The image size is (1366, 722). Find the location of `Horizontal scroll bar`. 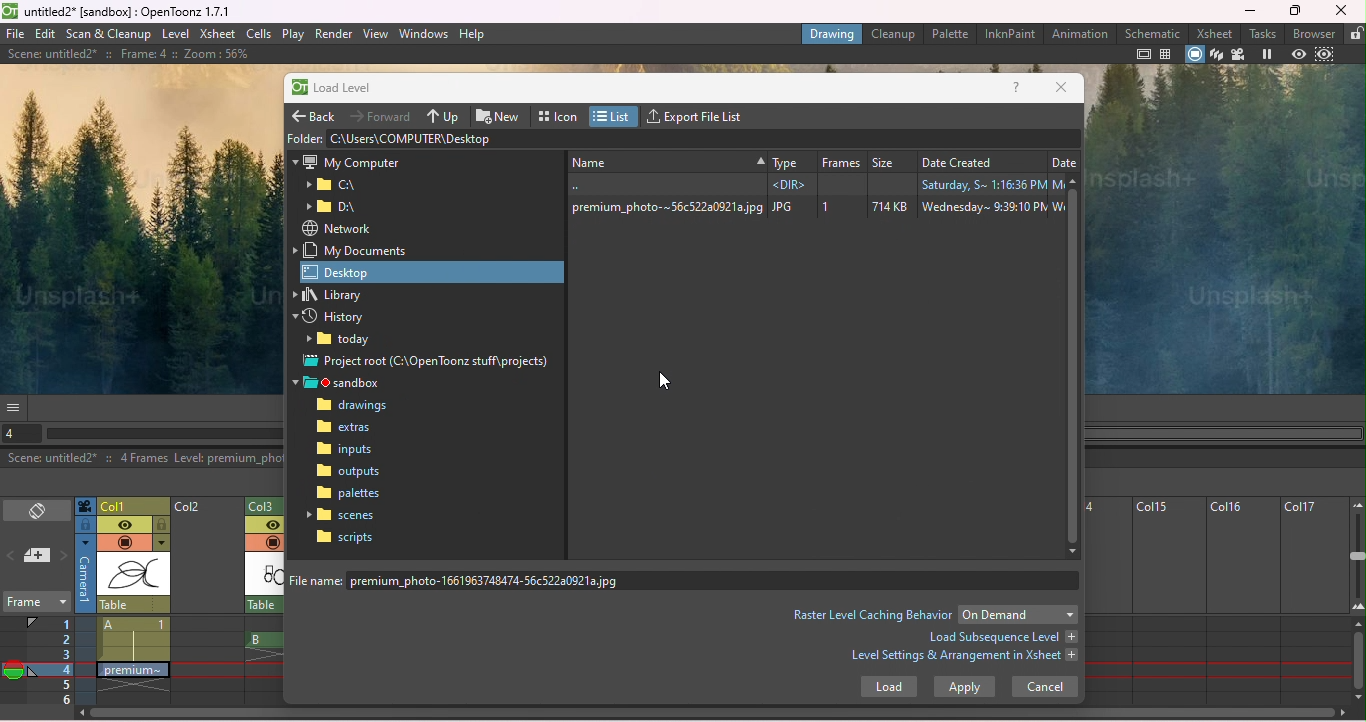

Horizontal scroll bar is located at coordinates (717, 715).